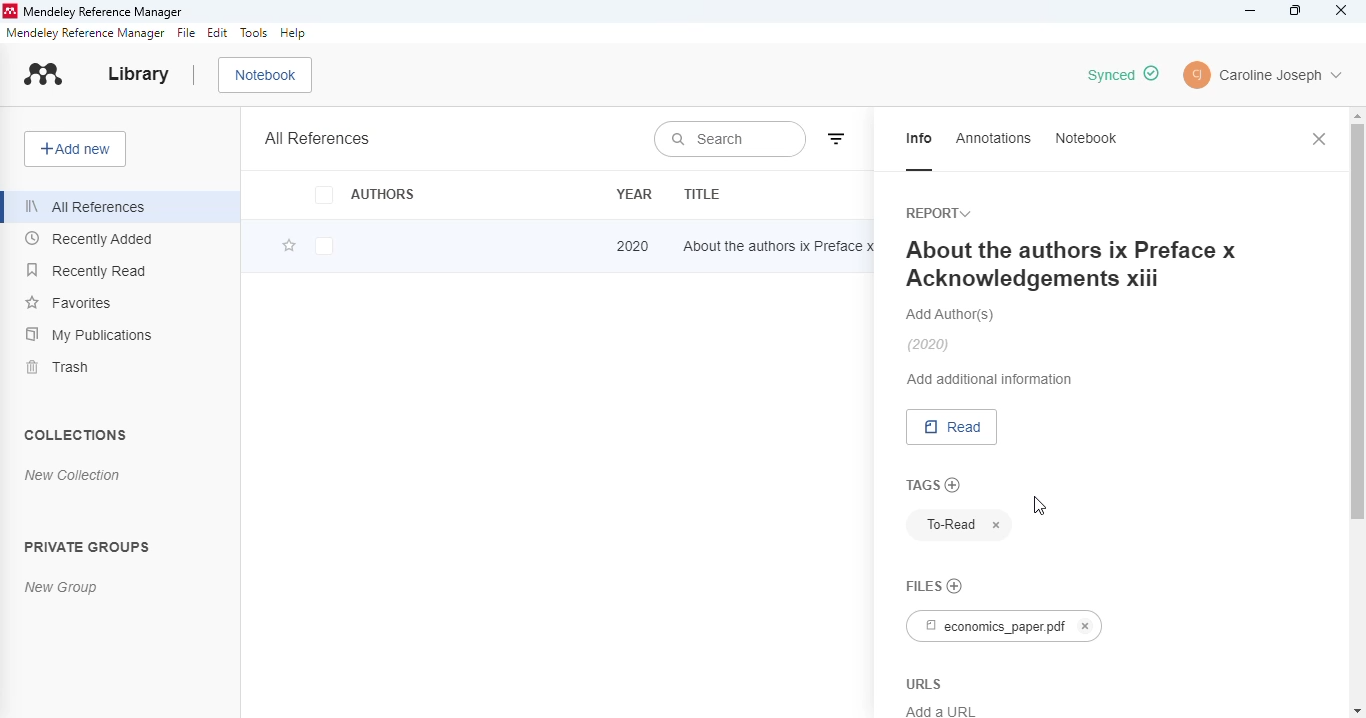 This screenshot has height=718, width=1366. Describe the element at coordinates (701, 194) in the screenshot. I see `title` at that location.